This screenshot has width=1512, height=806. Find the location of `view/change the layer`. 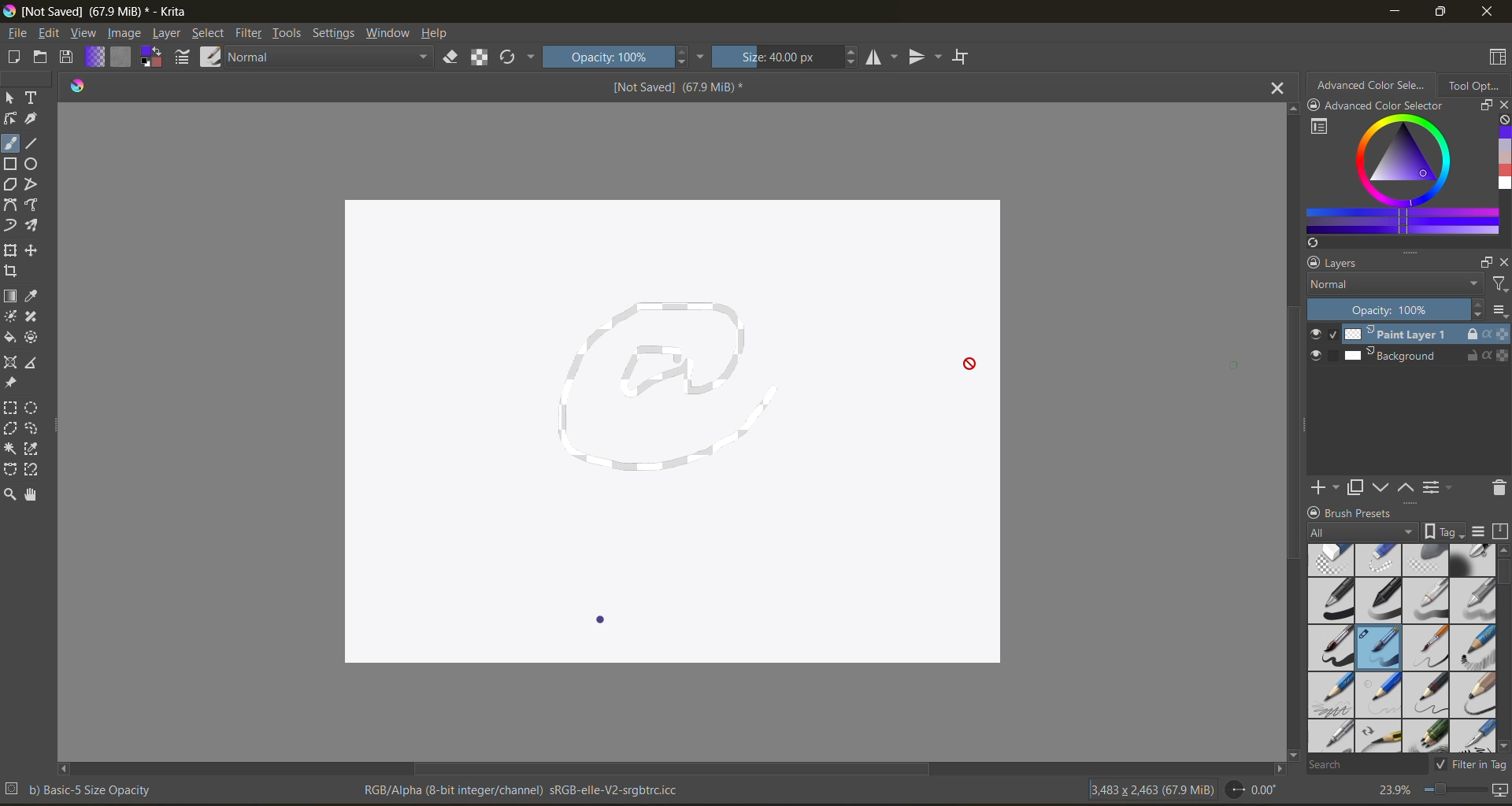

view/change the layer is located at coordinates (1440, 486).